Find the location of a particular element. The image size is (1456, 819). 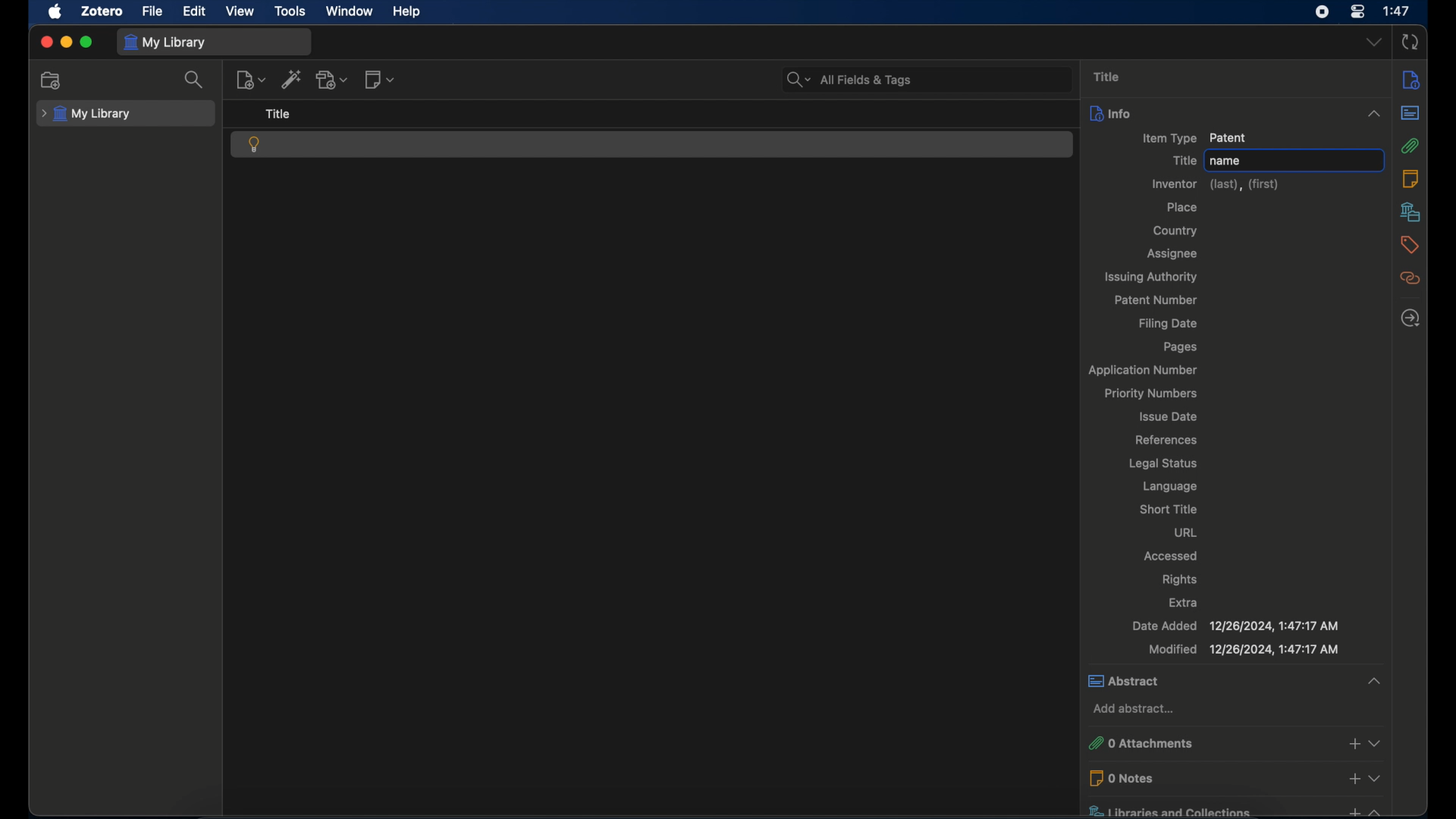

add is located at coordinates (1354, 810).